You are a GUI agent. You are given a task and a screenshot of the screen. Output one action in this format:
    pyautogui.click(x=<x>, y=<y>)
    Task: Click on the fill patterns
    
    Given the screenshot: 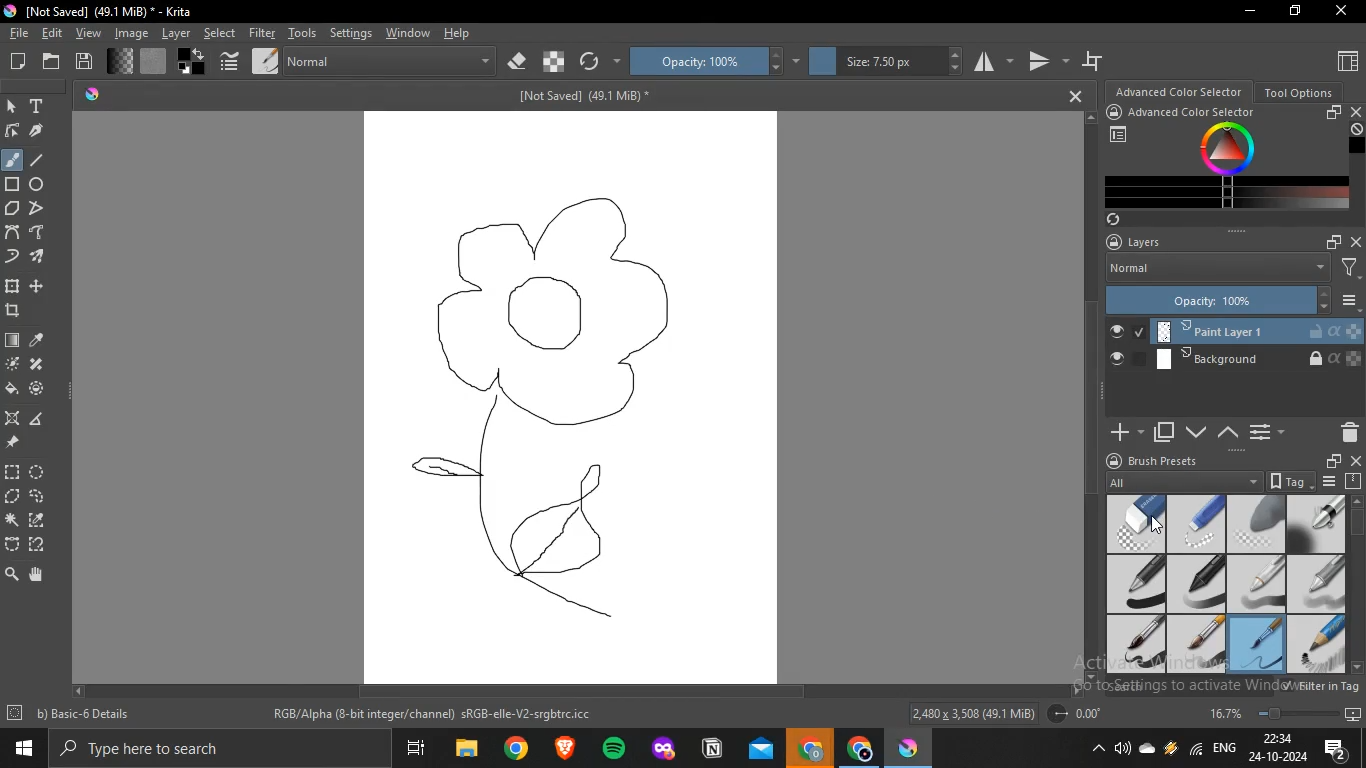 What is the action you would take?
    pyautogui.click(x=156, y=61)
    